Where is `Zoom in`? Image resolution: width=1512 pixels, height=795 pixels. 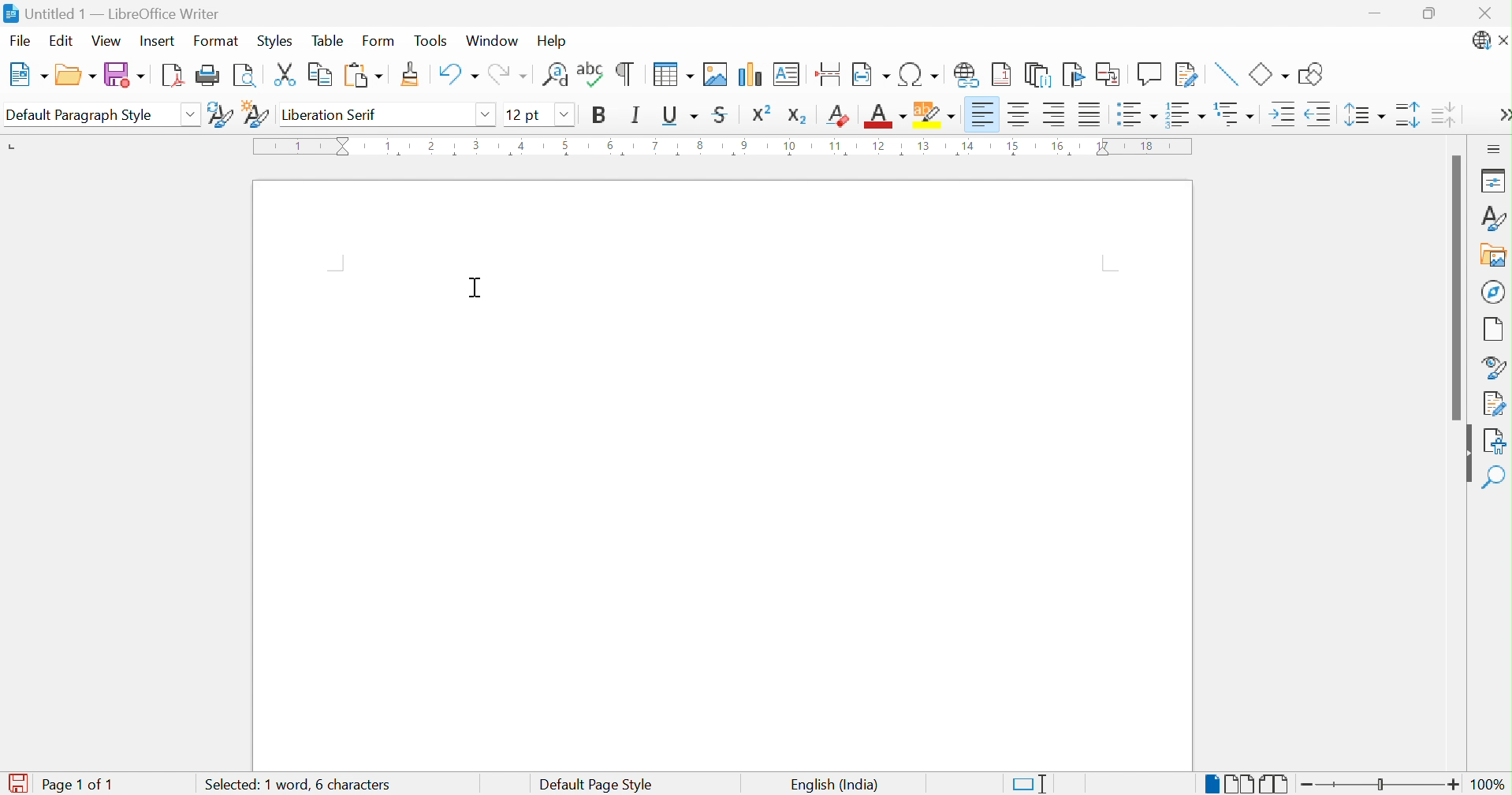 Zoom in is located at coordinates (1454, 784).